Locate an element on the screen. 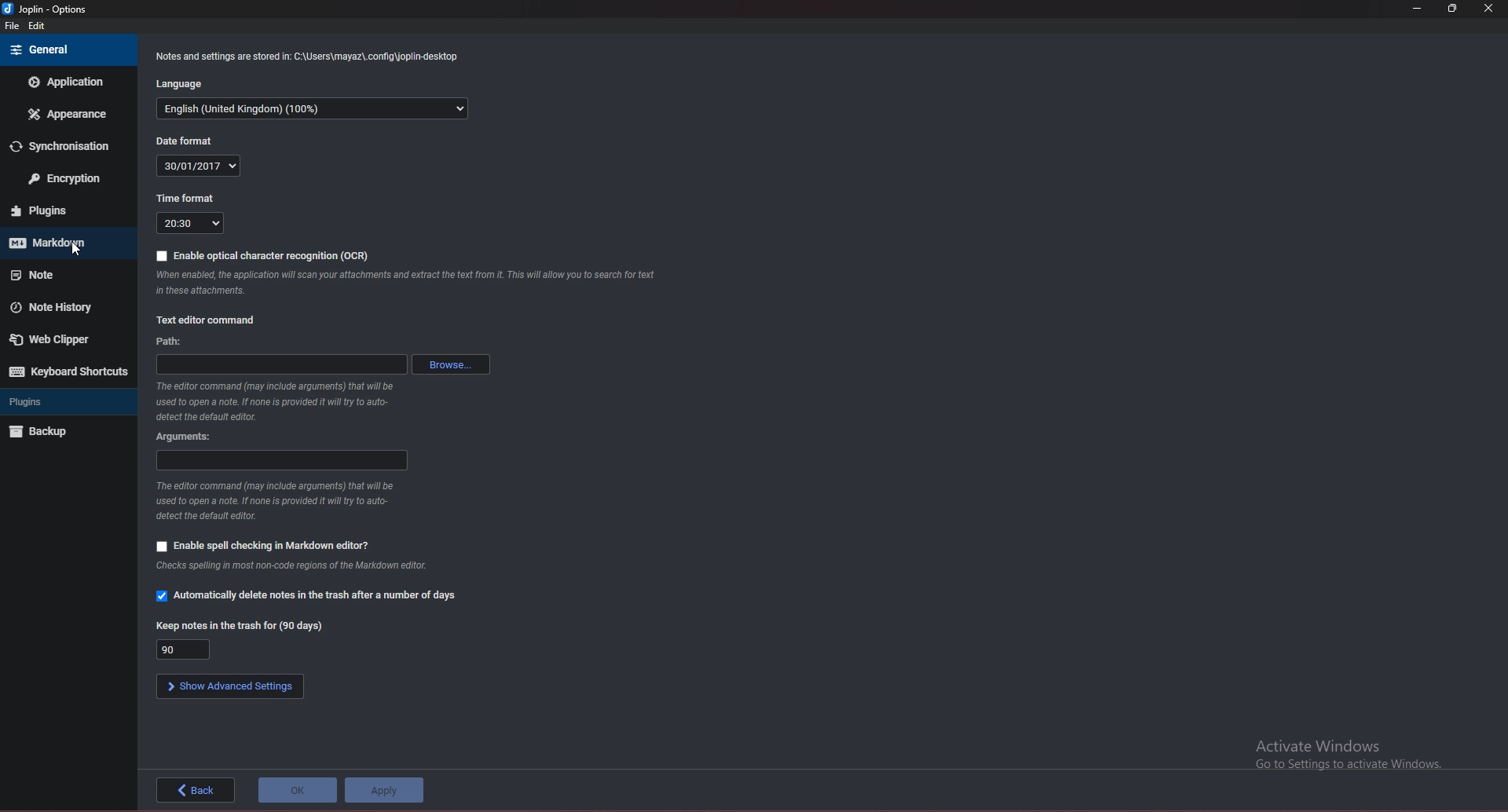 The width and height of the screenshot is (1508, 812). date format is located at coordinates (202, 166).